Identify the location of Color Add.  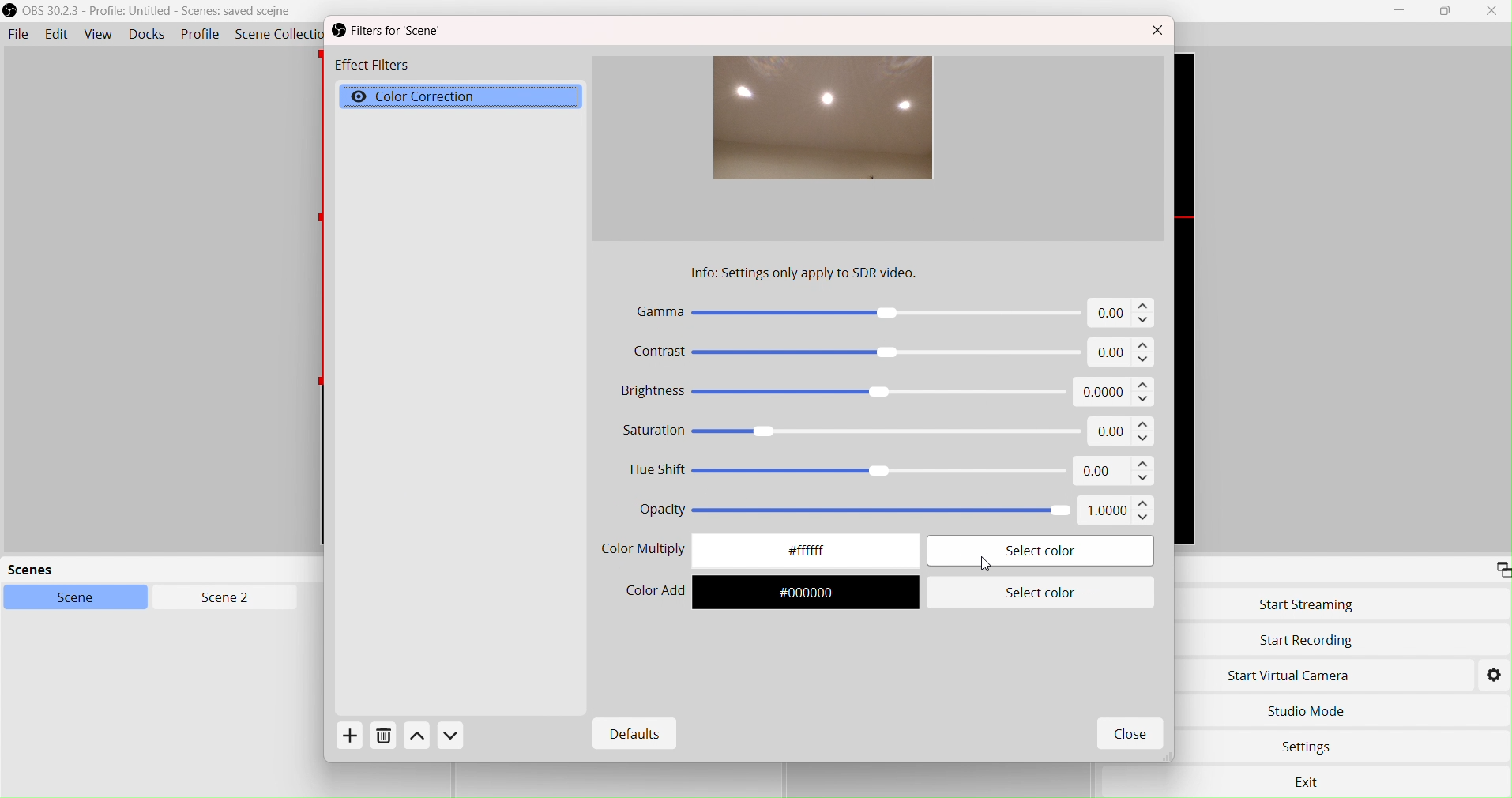
(646, 593).